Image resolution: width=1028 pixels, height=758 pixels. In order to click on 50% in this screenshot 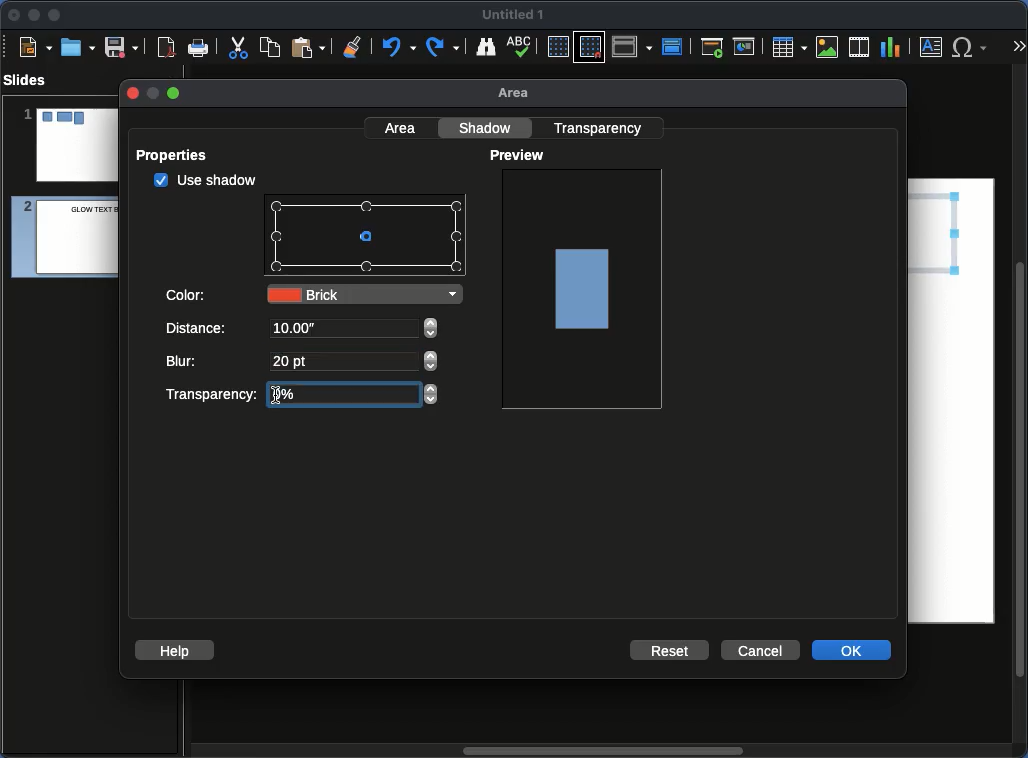, I will do `click(294, 394)`.